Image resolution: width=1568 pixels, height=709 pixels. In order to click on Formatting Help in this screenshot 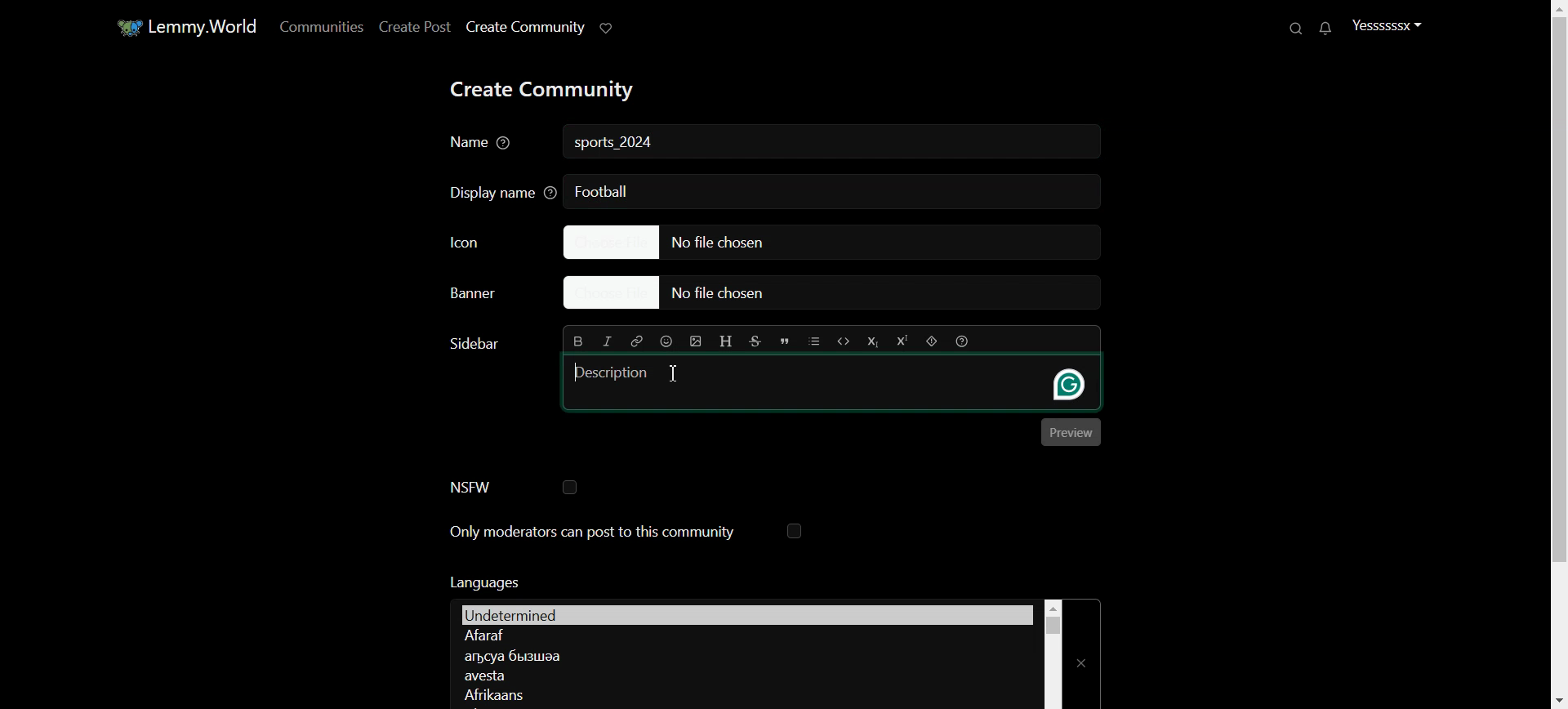, I will do `click(961, 341)`.